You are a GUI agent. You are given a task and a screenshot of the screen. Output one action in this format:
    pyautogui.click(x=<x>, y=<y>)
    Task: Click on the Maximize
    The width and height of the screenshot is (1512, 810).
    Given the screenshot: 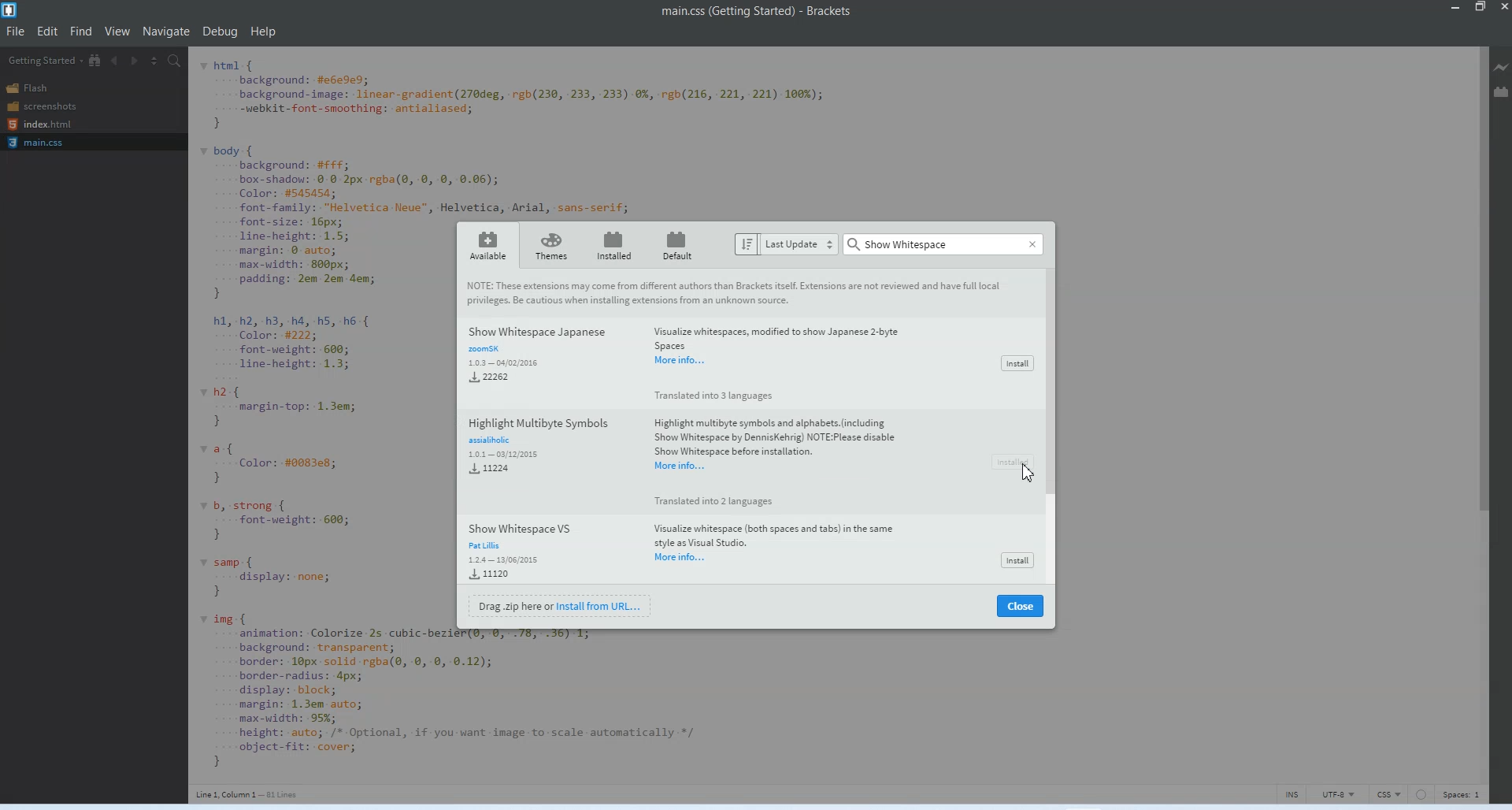 What is the action you would take?
    pyautogui.click(x=1480, y=8)
    